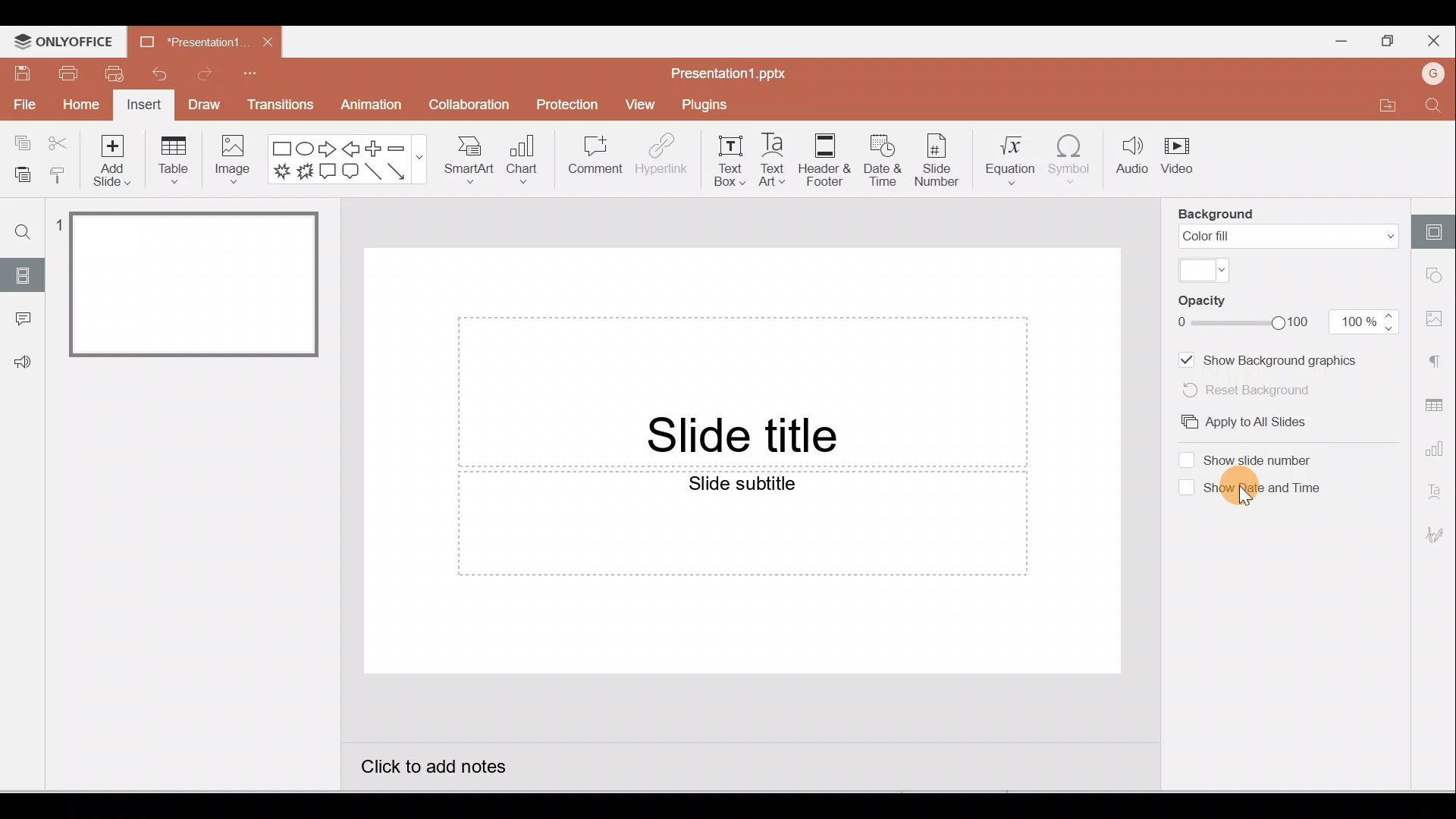 The width and height of the screenshot is (1456, 819). I want to click on Comment, so click(597, 162).